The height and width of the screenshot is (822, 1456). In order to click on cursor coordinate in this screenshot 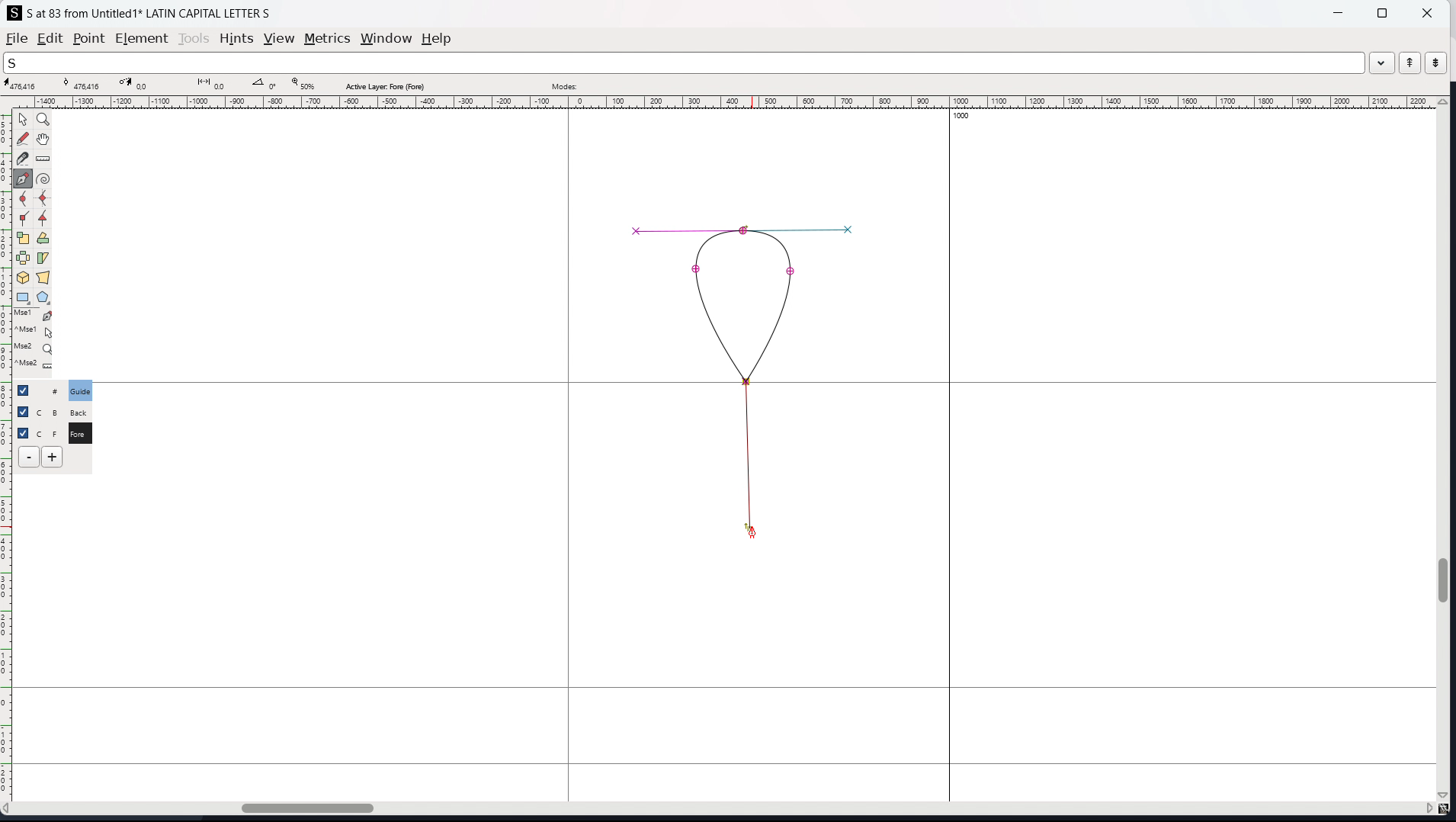, I will do `click(25, 85)`.